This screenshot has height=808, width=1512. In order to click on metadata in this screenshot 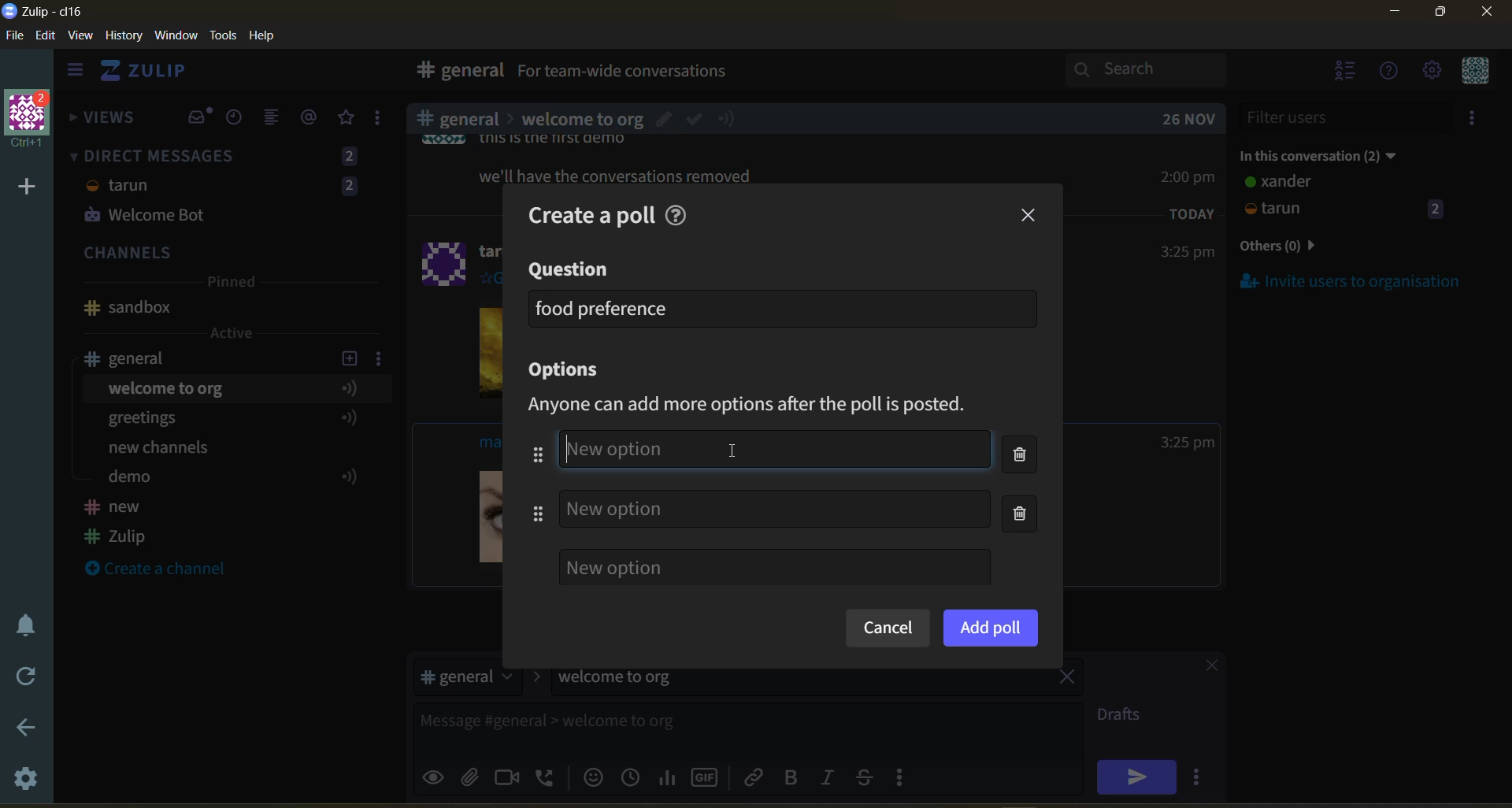, I will do `click(762, 406)`.